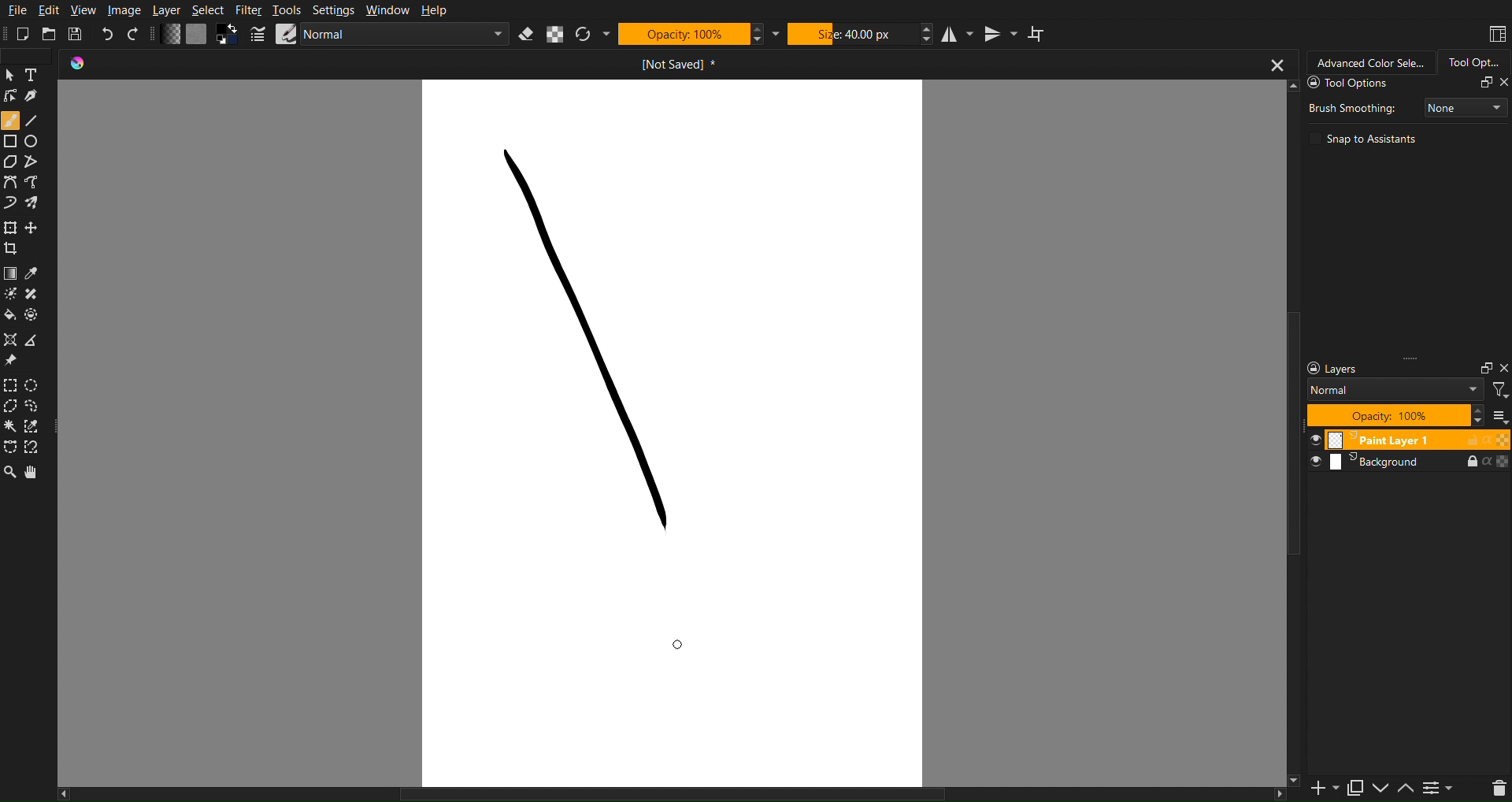  What do you see at coordinates (9, 273) in the screenshot?
I see `Color Options` at bounding box center [9, 273].